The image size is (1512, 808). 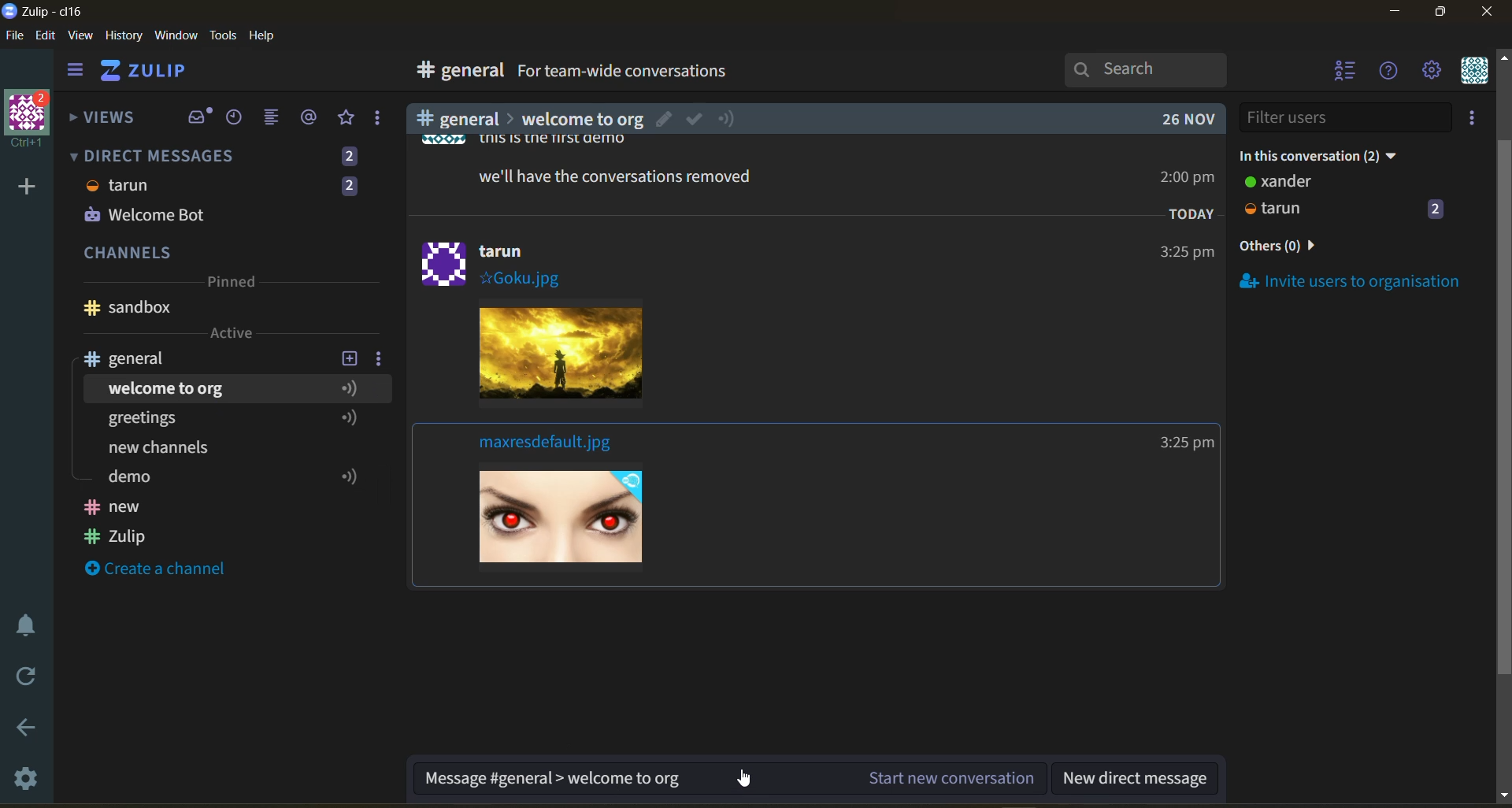 I want to click on , so click(x=587, y=524).